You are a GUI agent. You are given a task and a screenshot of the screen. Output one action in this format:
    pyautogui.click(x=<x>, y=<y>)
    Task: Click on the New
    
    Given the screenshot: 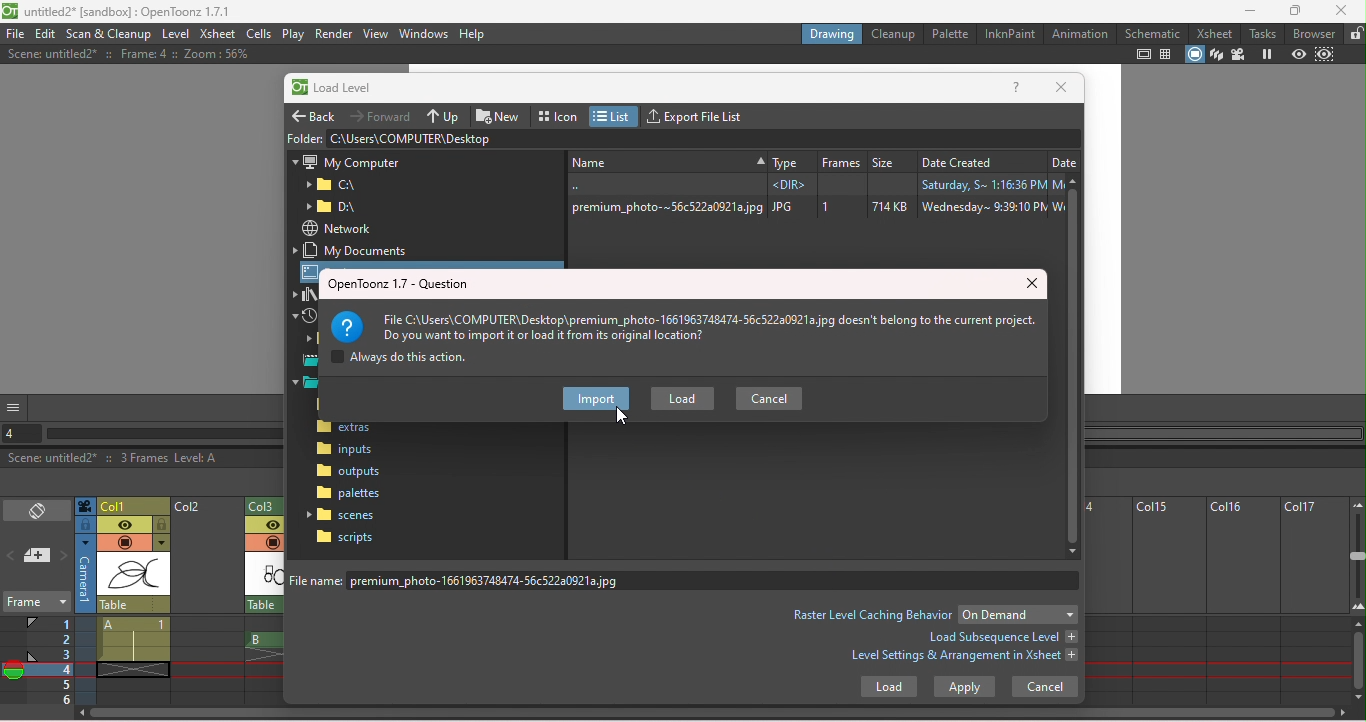 What is the action you would take?
    pyautogui.click(x=665, y=160)
    